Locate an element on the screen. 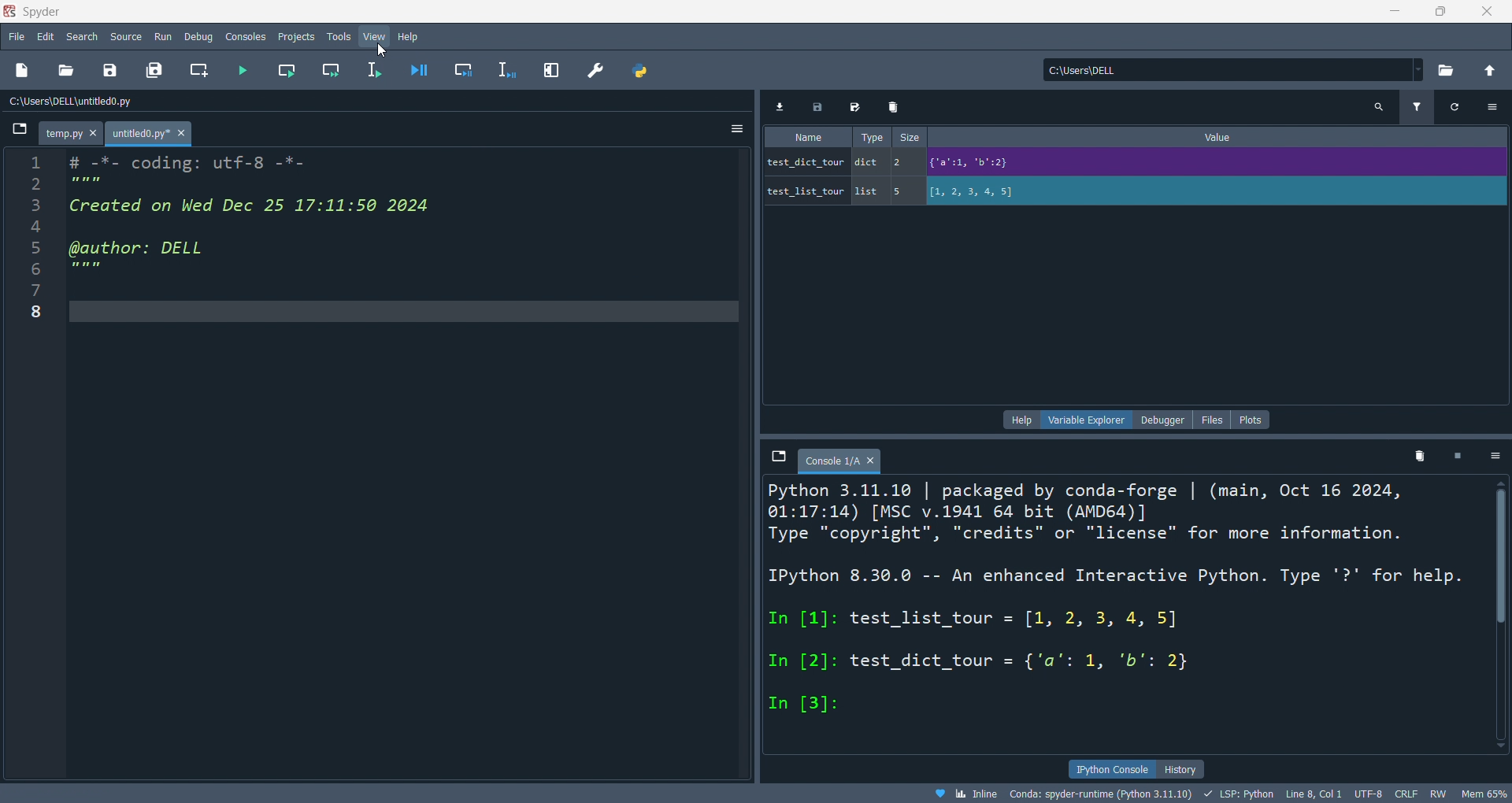 The image size is (1512, 803). tab - Console 1/A is located at coordinates (840, 459).